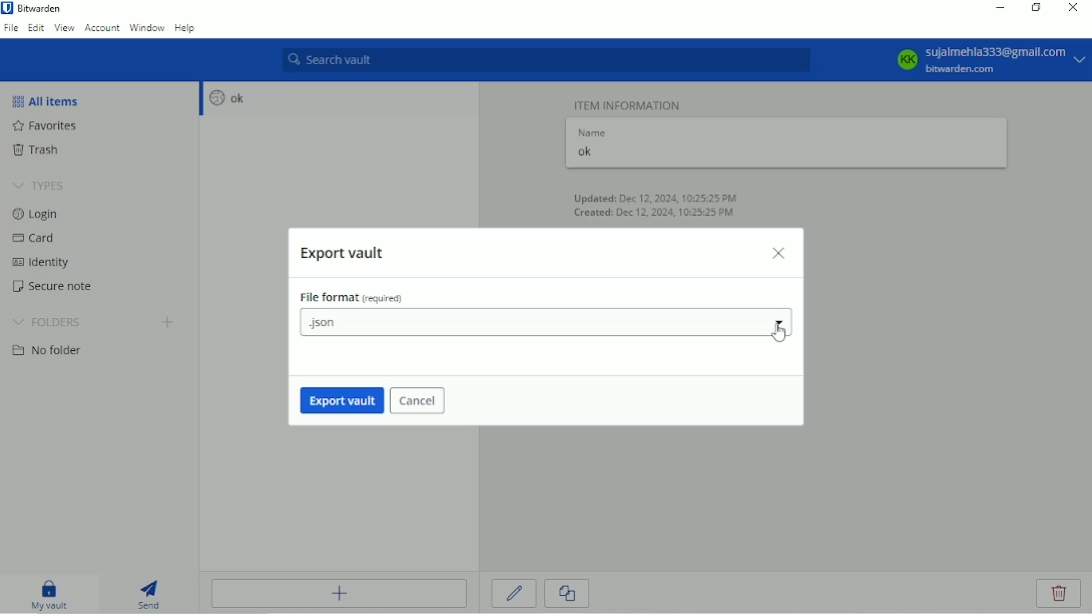 Image resolution: width=1092 pixels, height=614 pixels. What do you see at coordinates (49, 593) in the screenshot?
I see `My vault` at bounding box center [49, 593].